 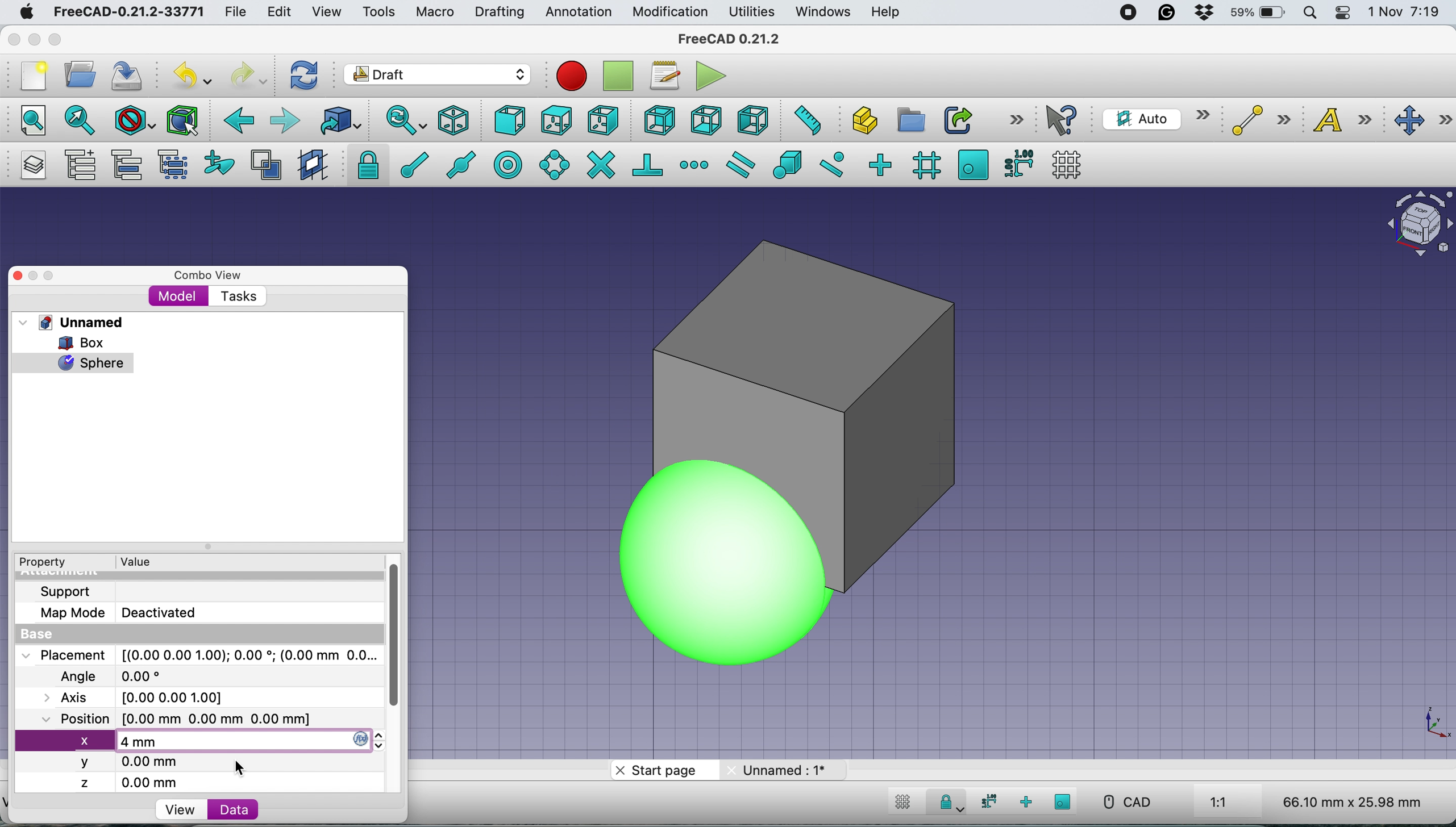 I want to click on tasks, so click(x=237, y=297).